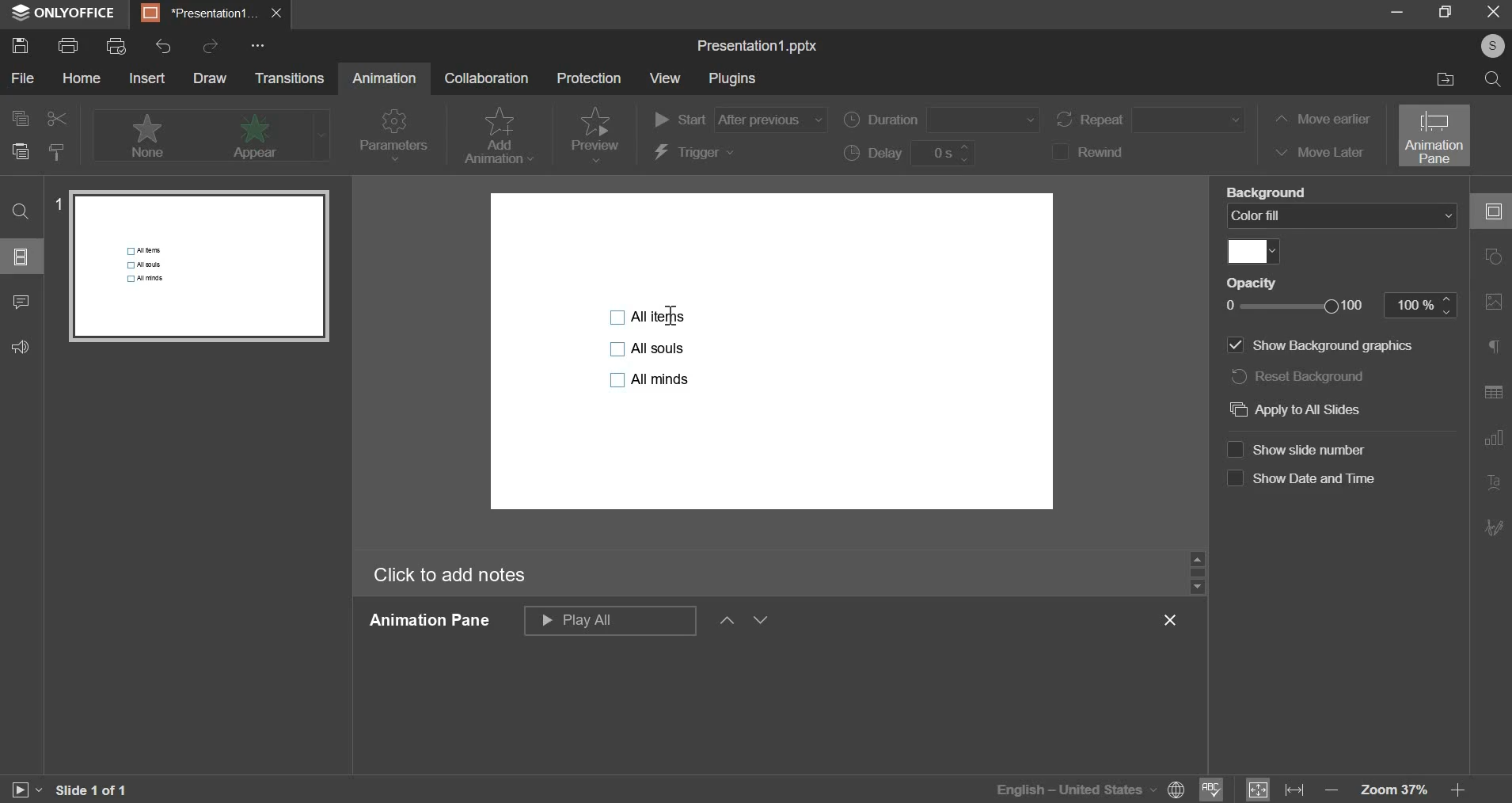 Image resolution: width=1512 pixels, height=803 pixels. I want to click on start order, so click(739, 120).